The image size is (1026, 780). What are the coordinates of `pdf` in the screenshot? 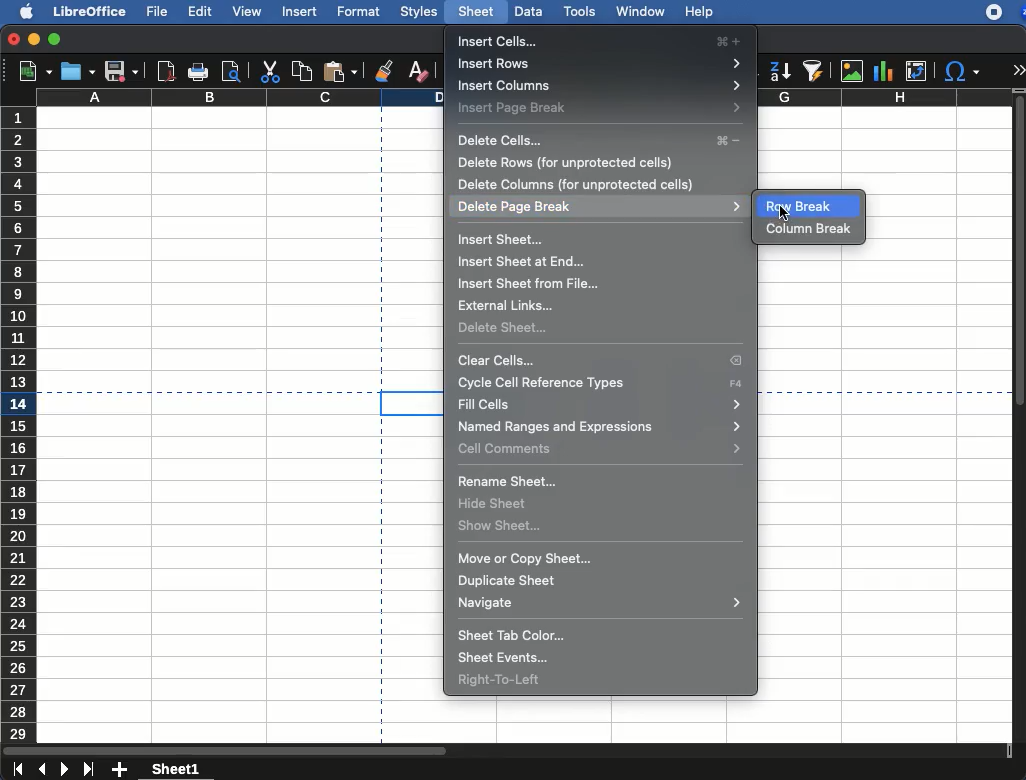 It's located at (166, 71).